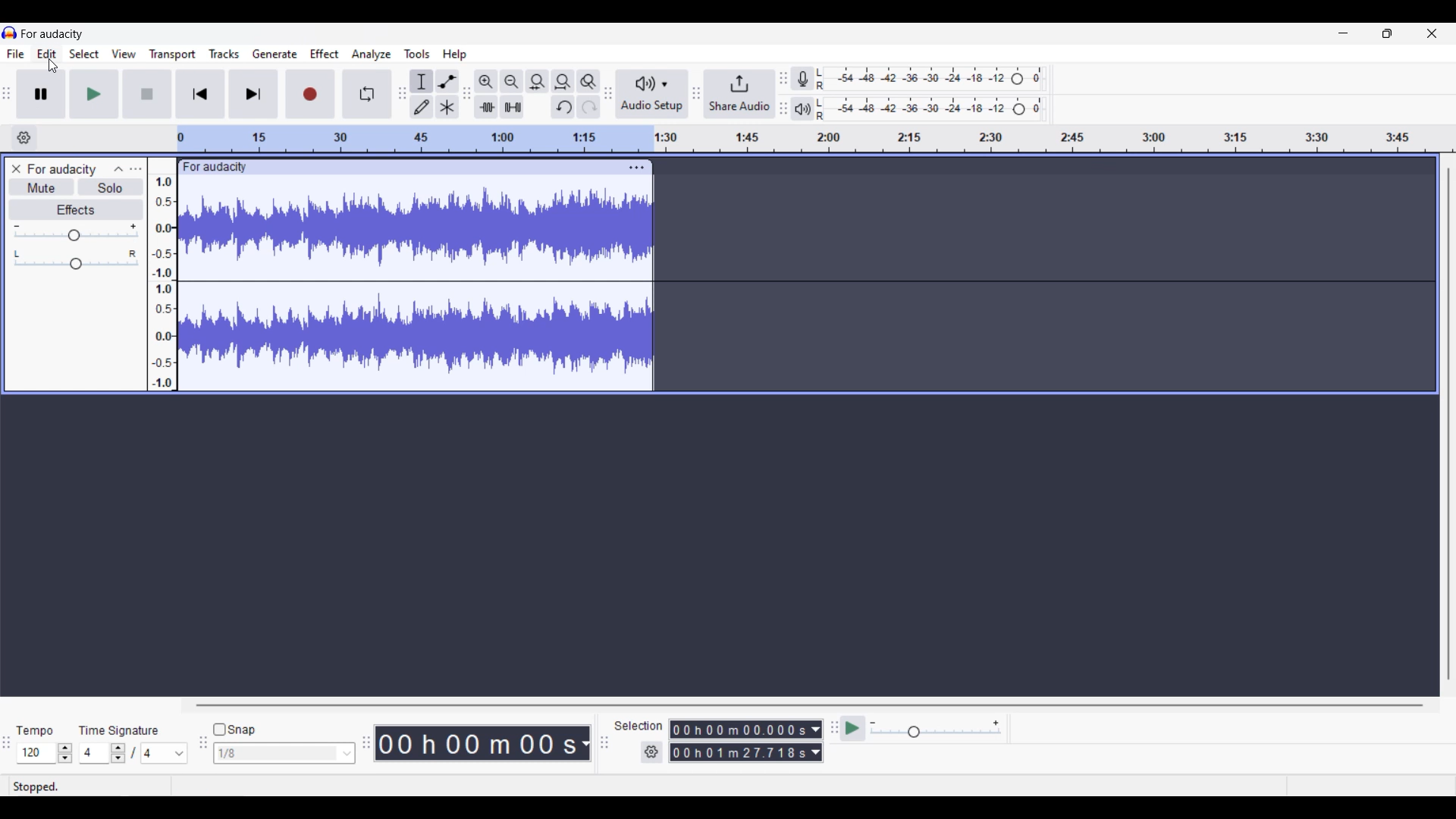  Describe the element at coordinates (200, 95) in the screenshot. I see `Skip/Select to start` at that location.